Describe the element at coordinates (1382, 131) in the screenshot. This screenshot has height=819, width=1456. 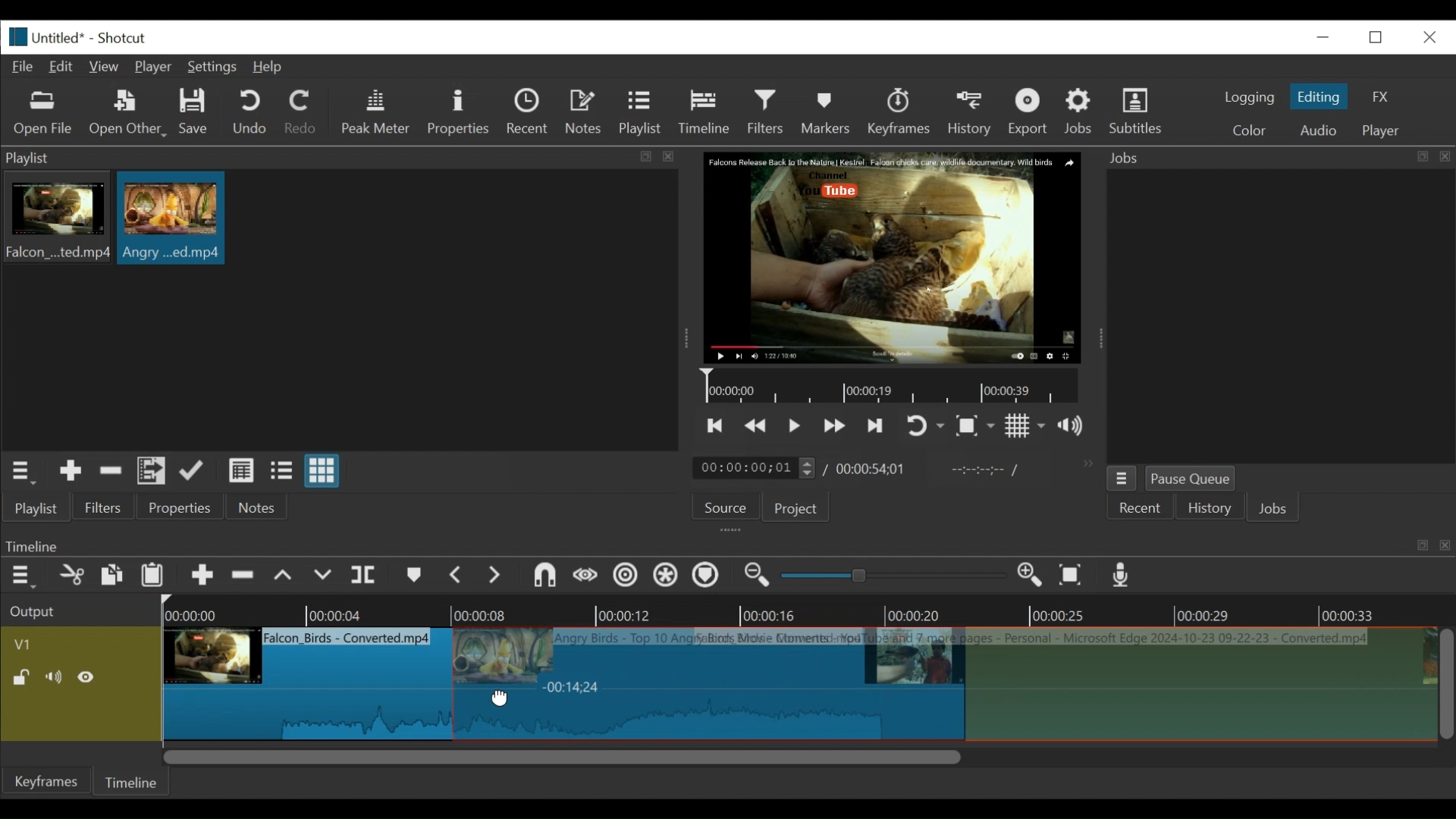
I see `player` at that location.